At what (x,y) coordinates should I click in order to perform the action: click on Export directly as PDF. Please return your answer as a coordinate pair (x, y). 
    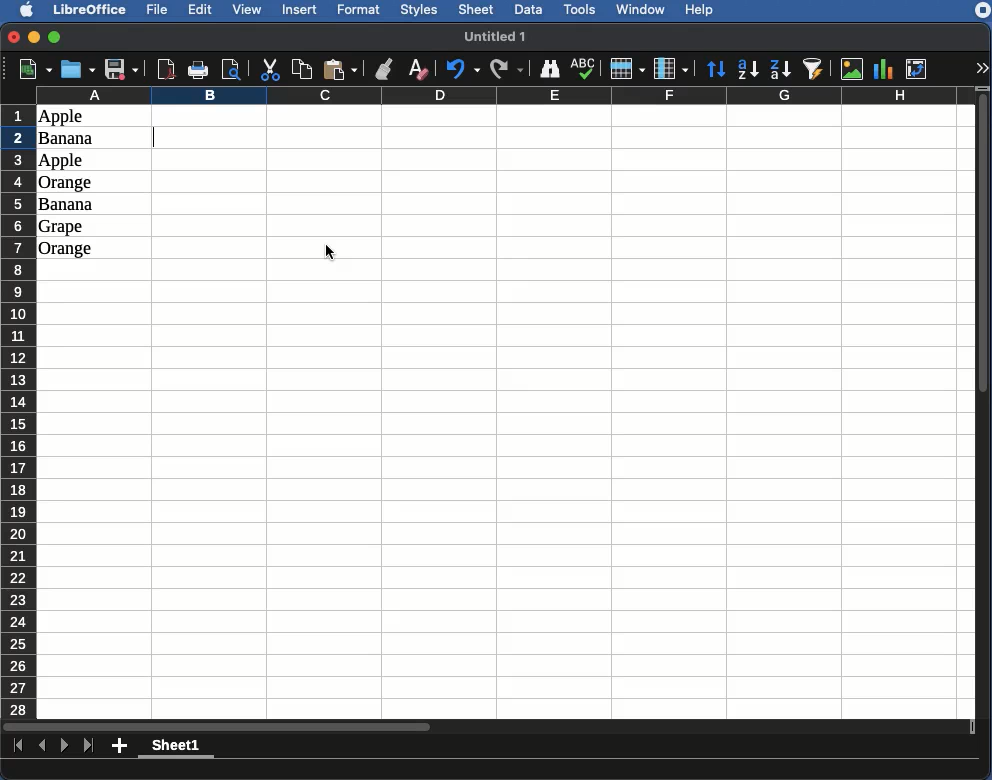
    Looking at the image, I should click on (167, 68).